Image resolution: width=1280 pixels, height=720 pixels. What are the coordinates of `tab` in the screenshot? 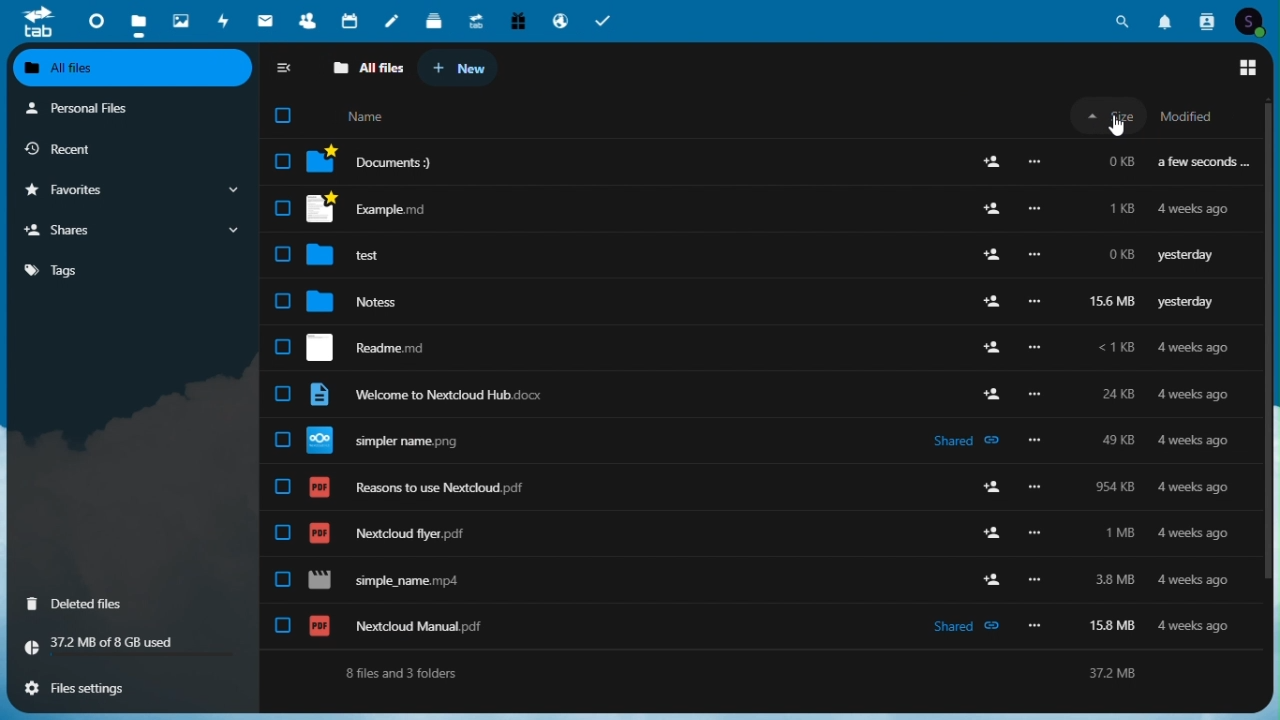 It's located at (34, 22).